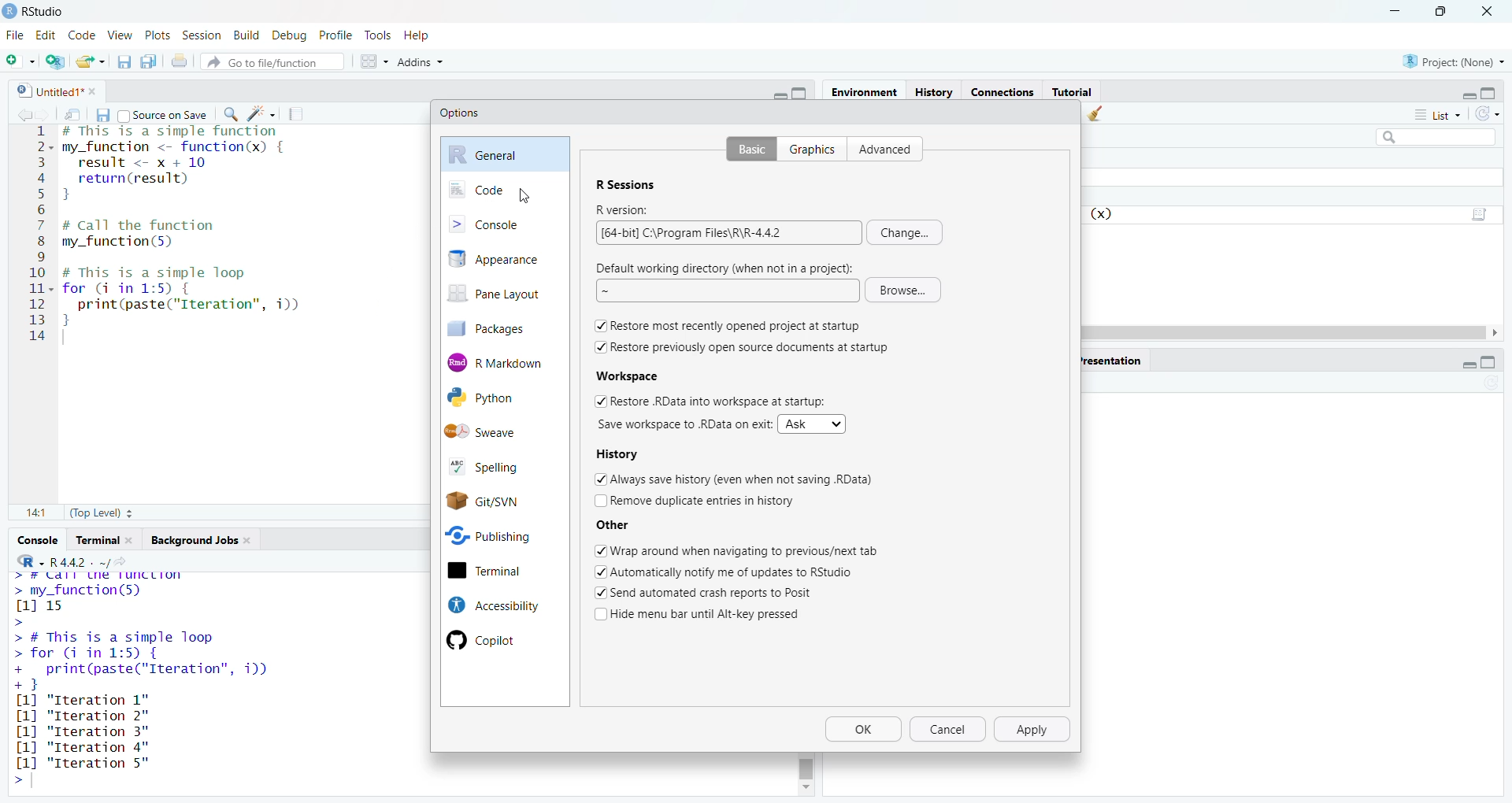 This screenshot has width=1512, height=803. Describe the element at coordinates (1497, 363) in the screenshot. I see `maximize` at that location.